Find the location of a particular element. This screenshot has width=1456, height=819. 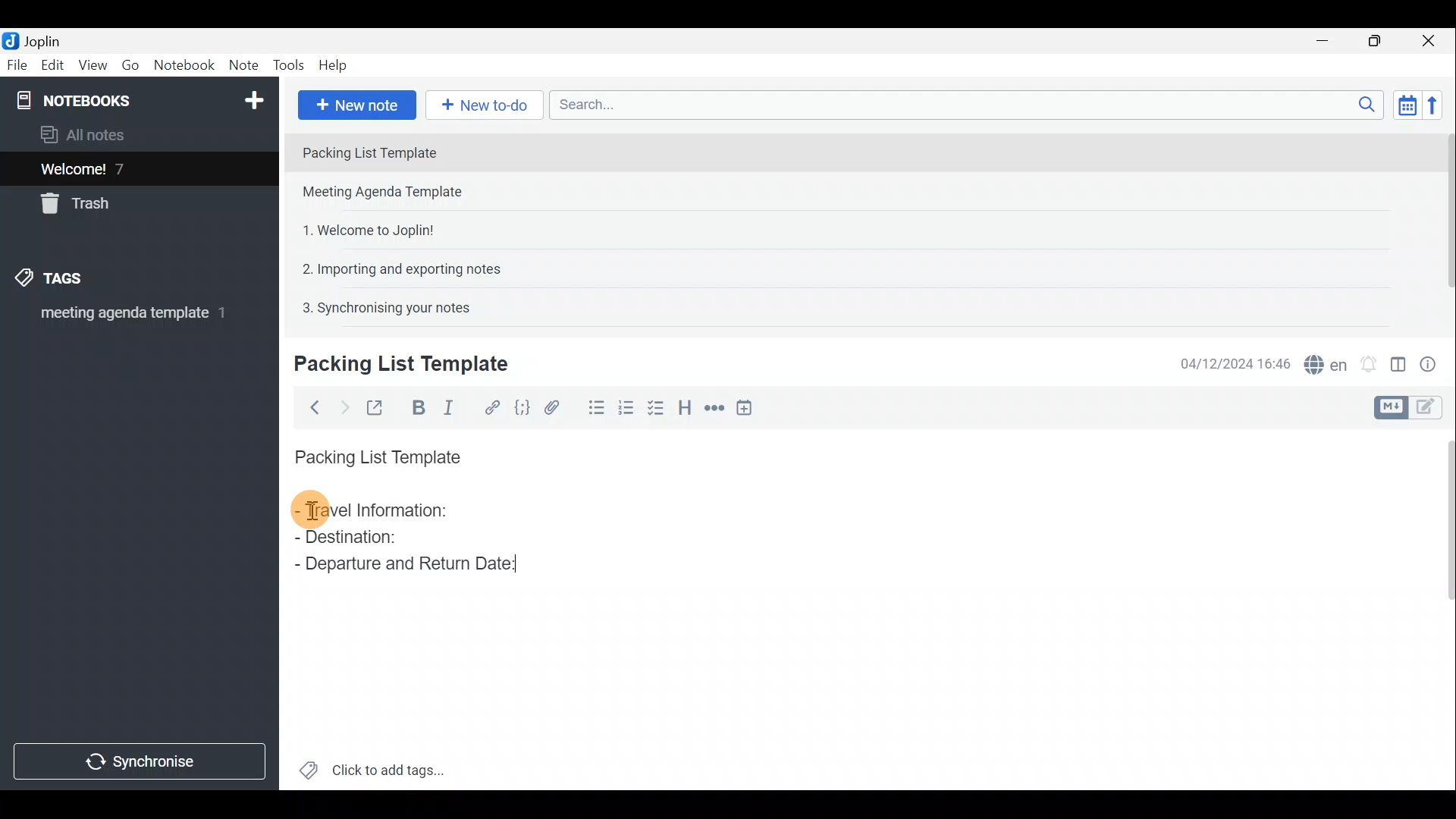

Scroll bar is located at coordinates (1442, 221).